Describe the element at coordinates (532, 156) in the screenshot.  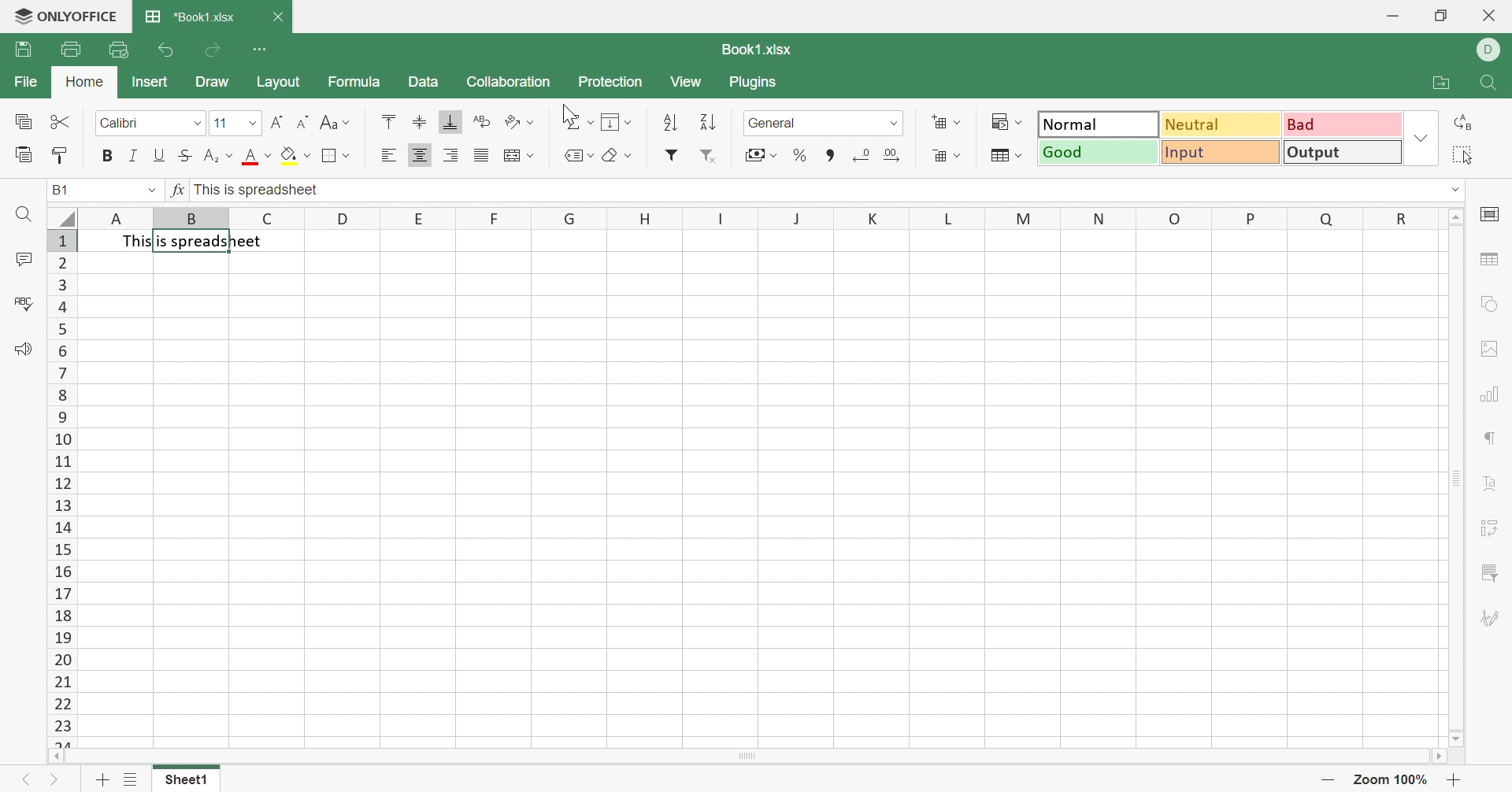
I see `Drop Down` at that location.